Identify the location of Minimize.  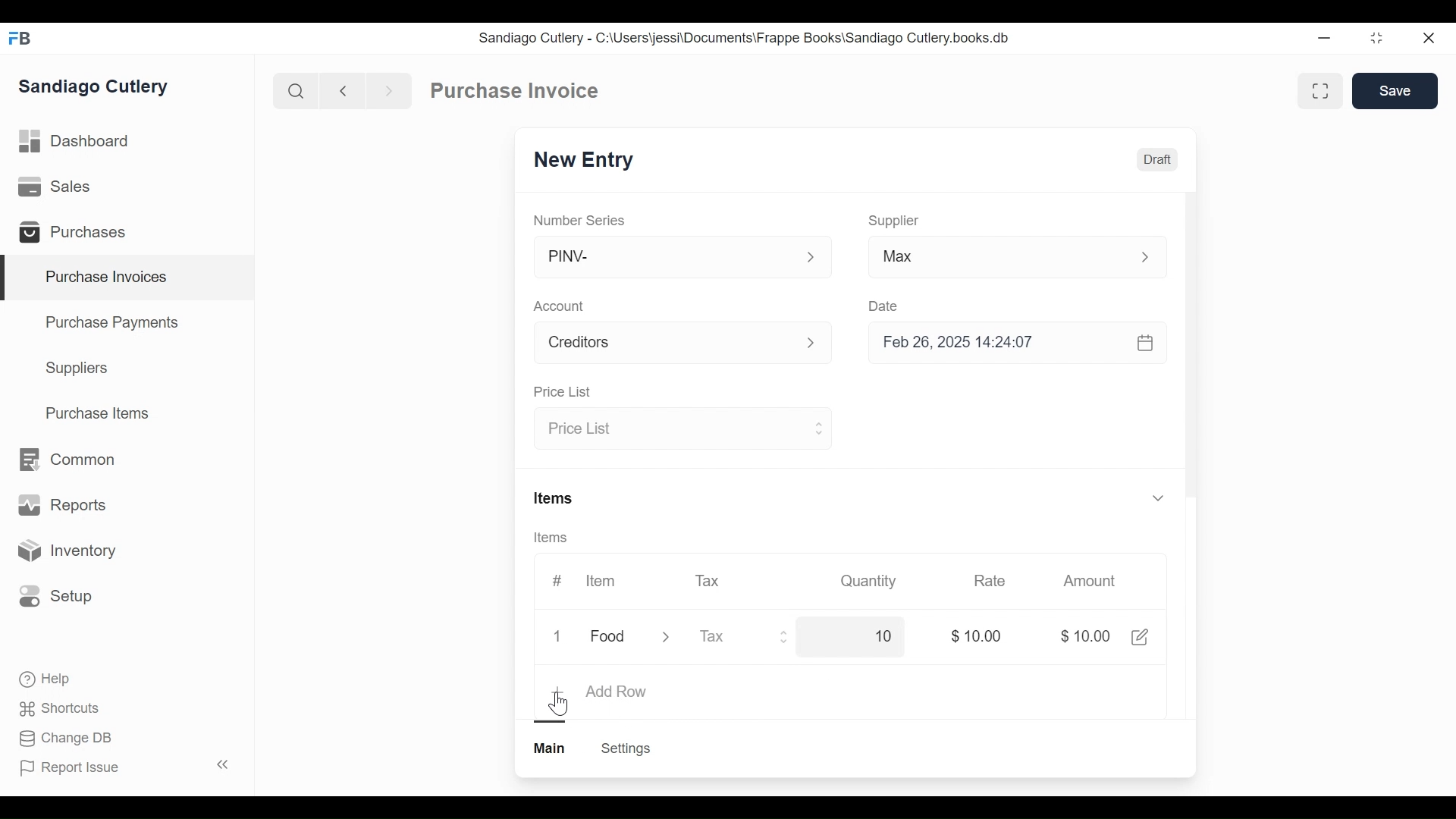
(1321, 39).